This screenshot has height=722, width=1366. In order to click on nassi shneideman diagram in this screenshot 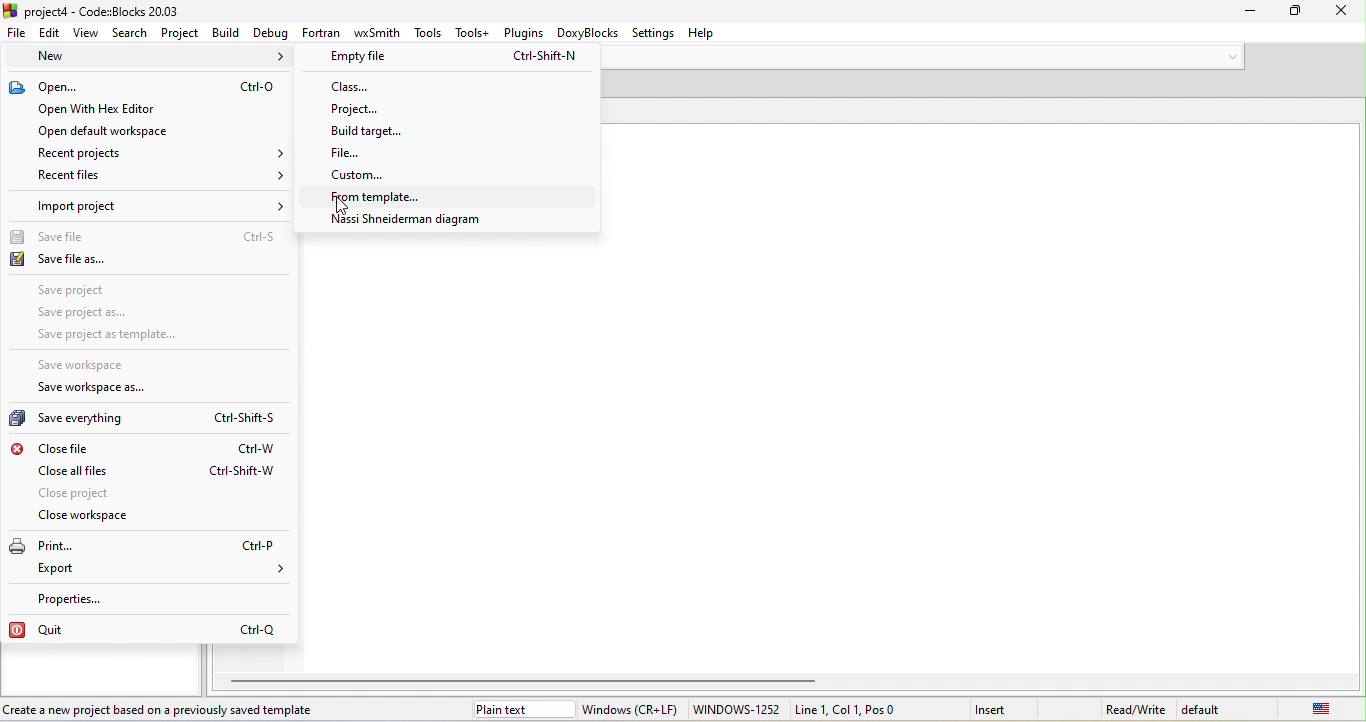, I will do `click(405, 219)`.